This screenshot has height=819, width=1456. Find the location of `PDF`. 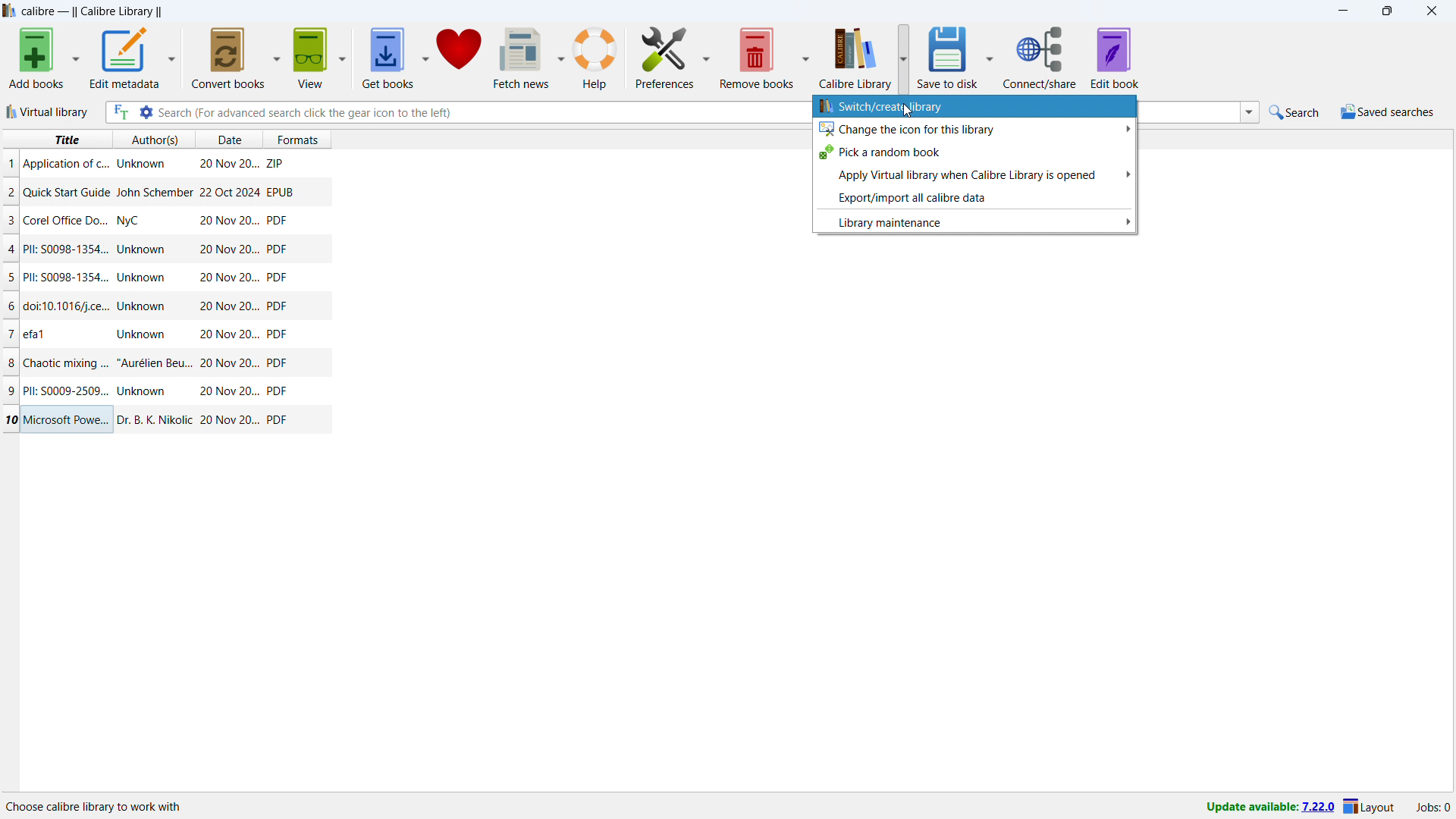

PDF is located at coordinates (278, 248).